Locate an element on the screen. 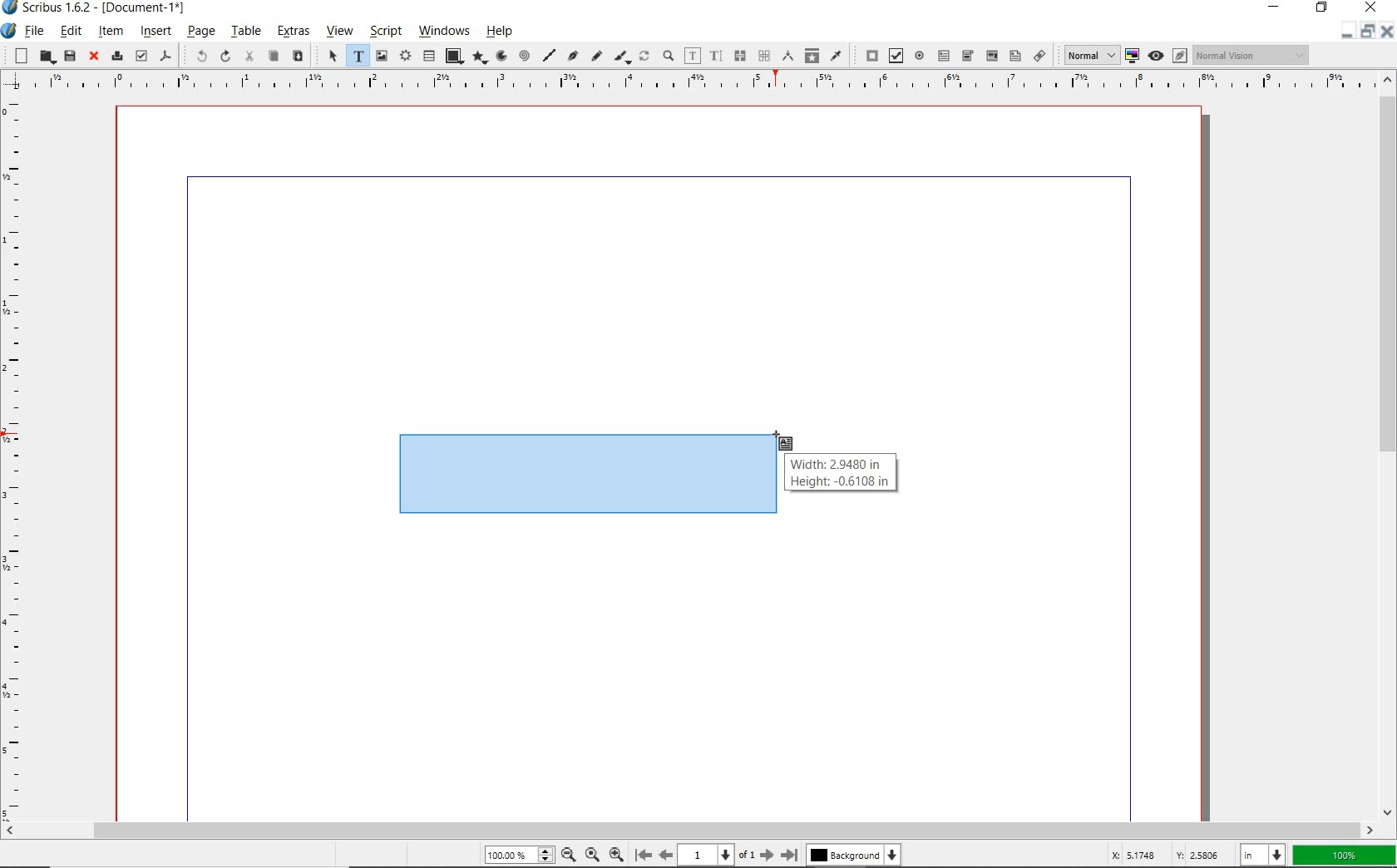 This screenshot has height=868, width=1397. scrollbar is located at coordinates (1387, 445).